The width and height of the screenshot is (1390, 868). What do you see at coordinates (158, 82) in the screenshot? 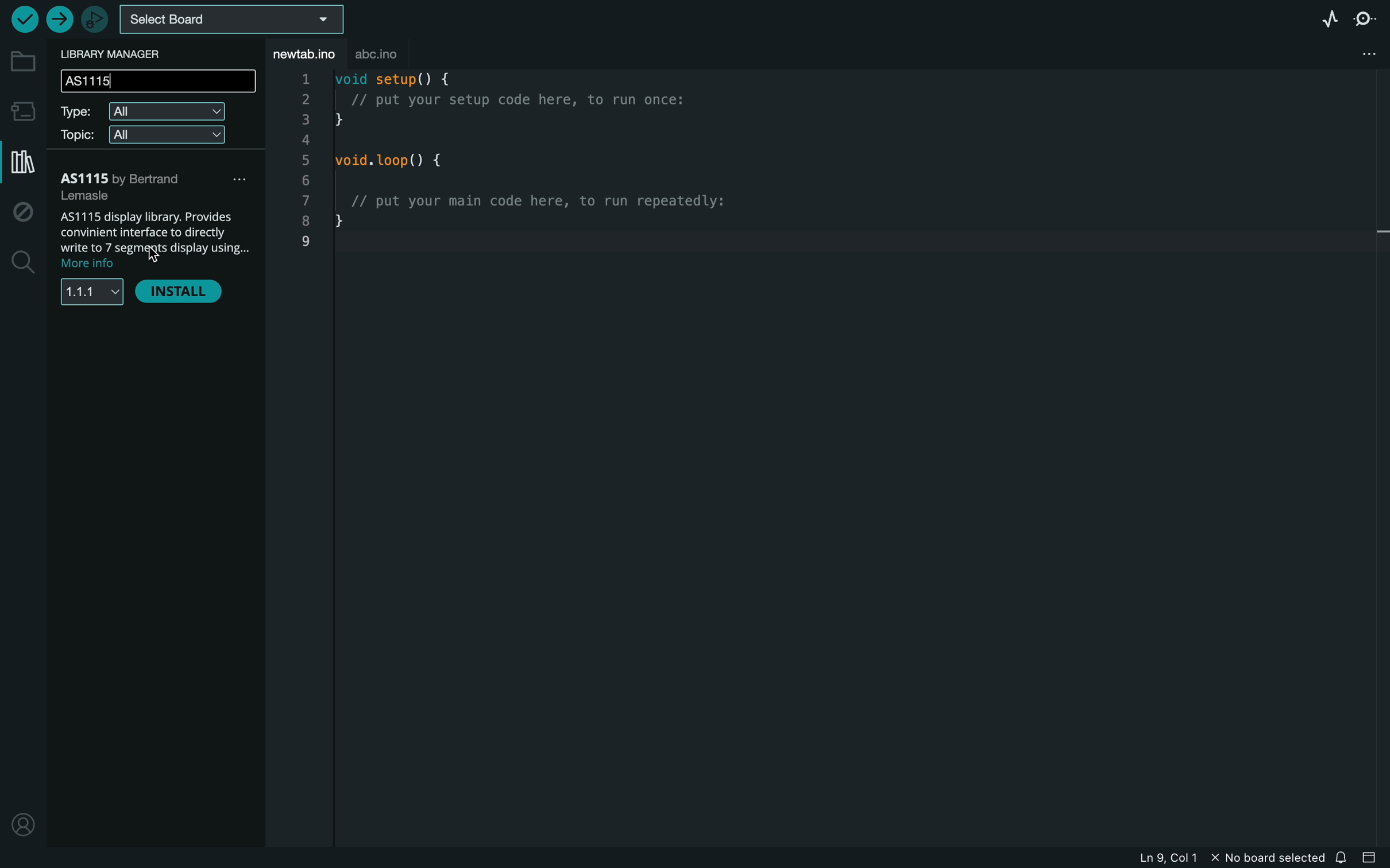
I see `search bar` at bounding box center [158, 82].